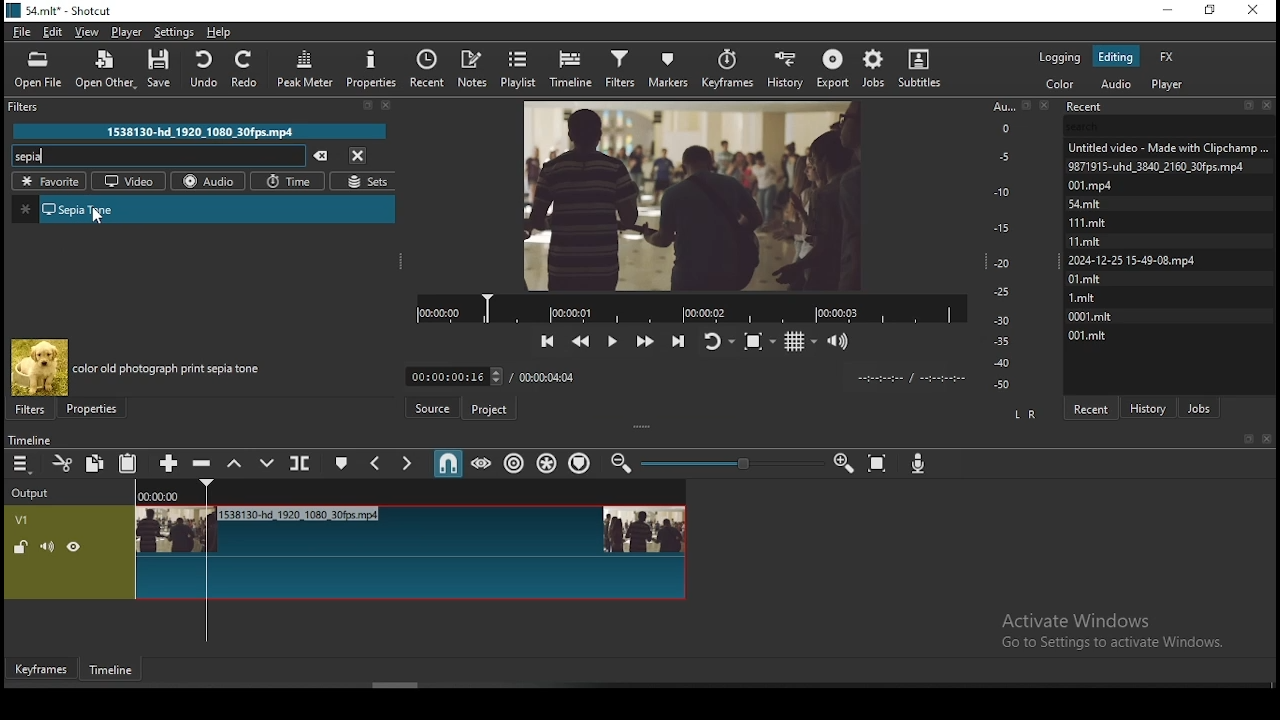  What do you see at coordinates (22, 32) in the screenshot?
I see `file` at bounding box center [22, 32].